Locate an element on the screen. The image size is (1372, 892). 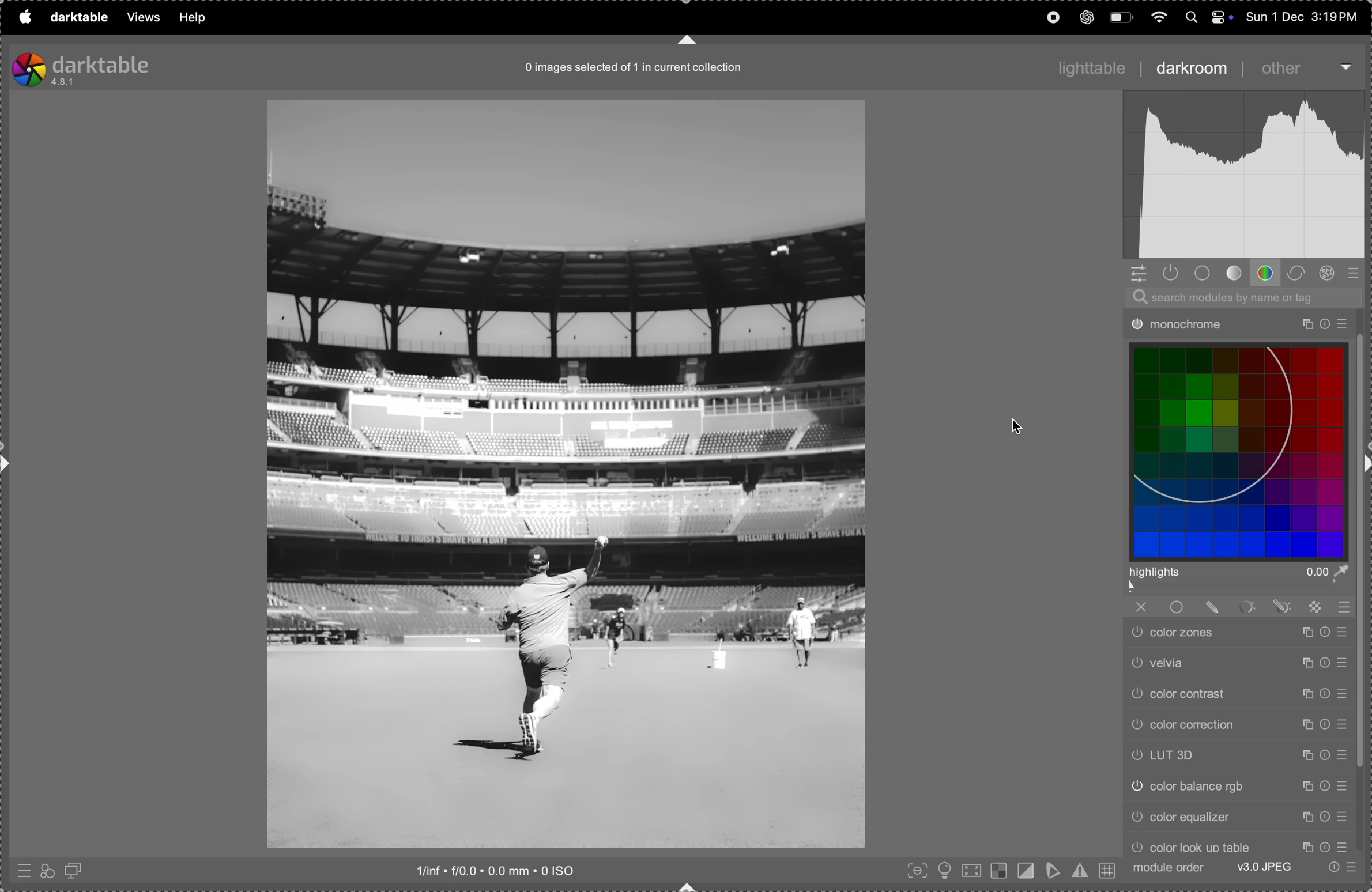
color rgb is located at coordinates (1238, 786).